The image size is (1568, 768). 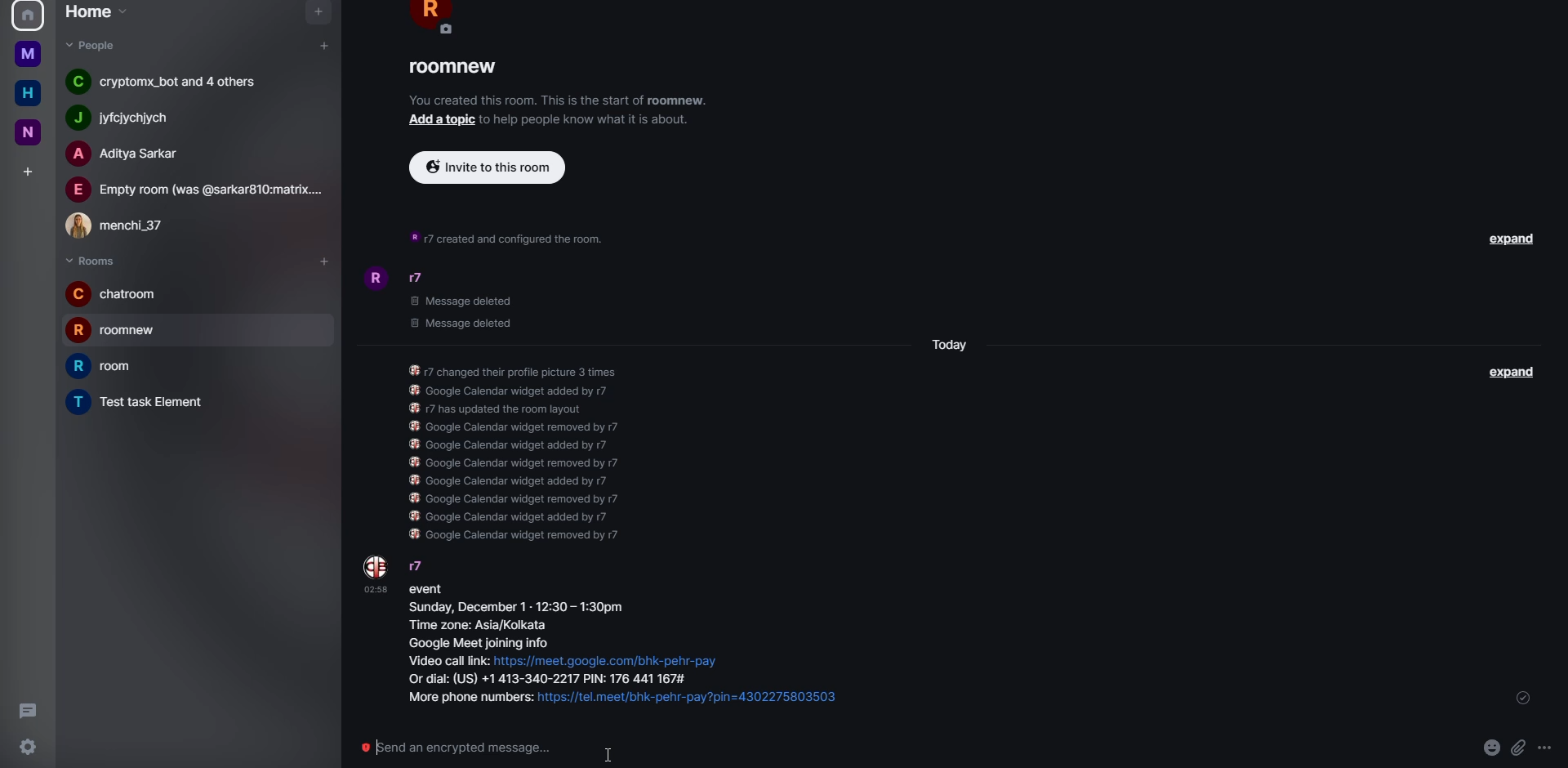 I want to click on room, so click(x=109, y=368).